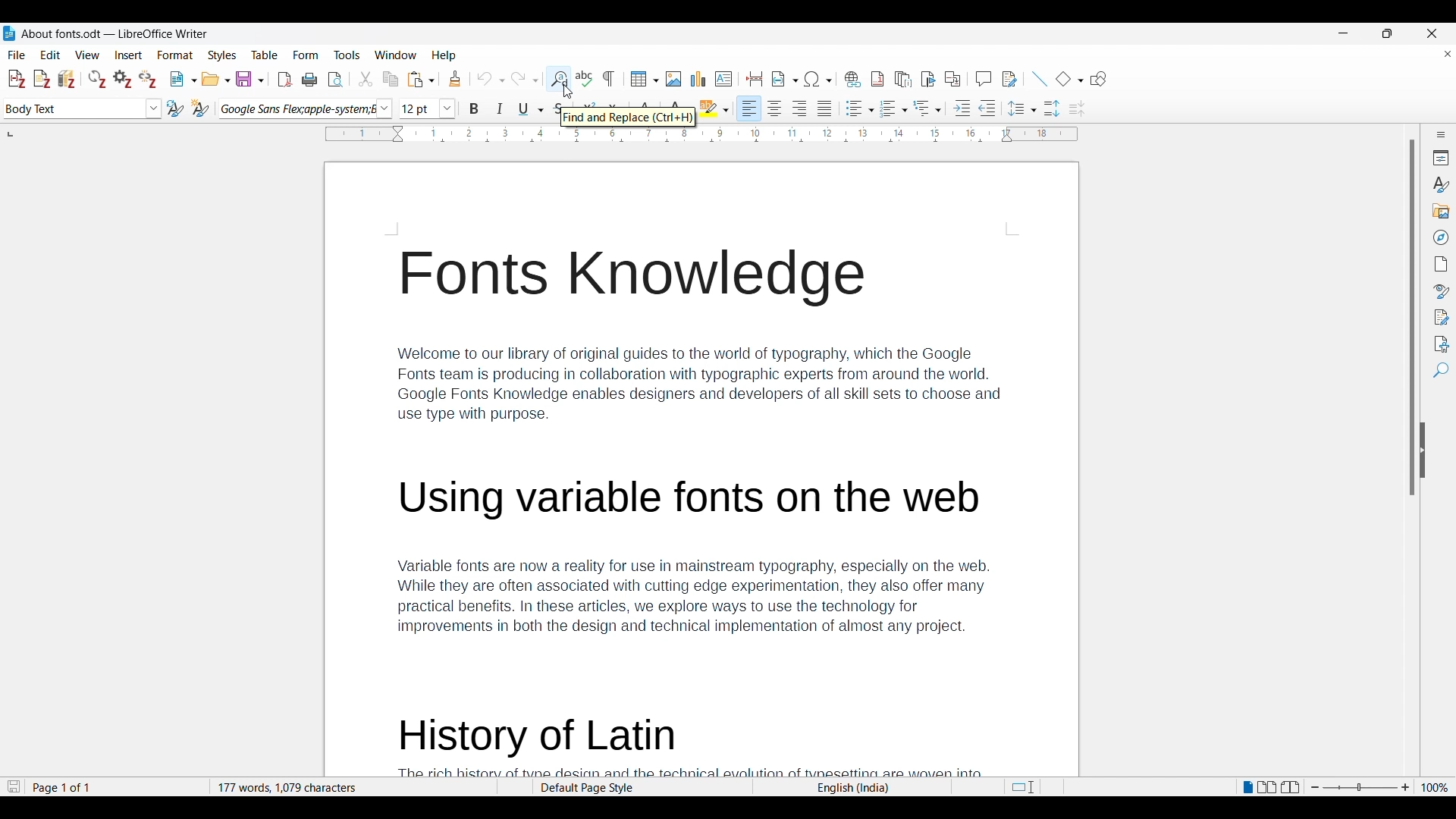 This screenshot has height=819, width=1456. What do you see at coordinates (1387, 33) in the screenshot?
I see `Show interface in a smaller tab` at bounding box center [1387, 33].